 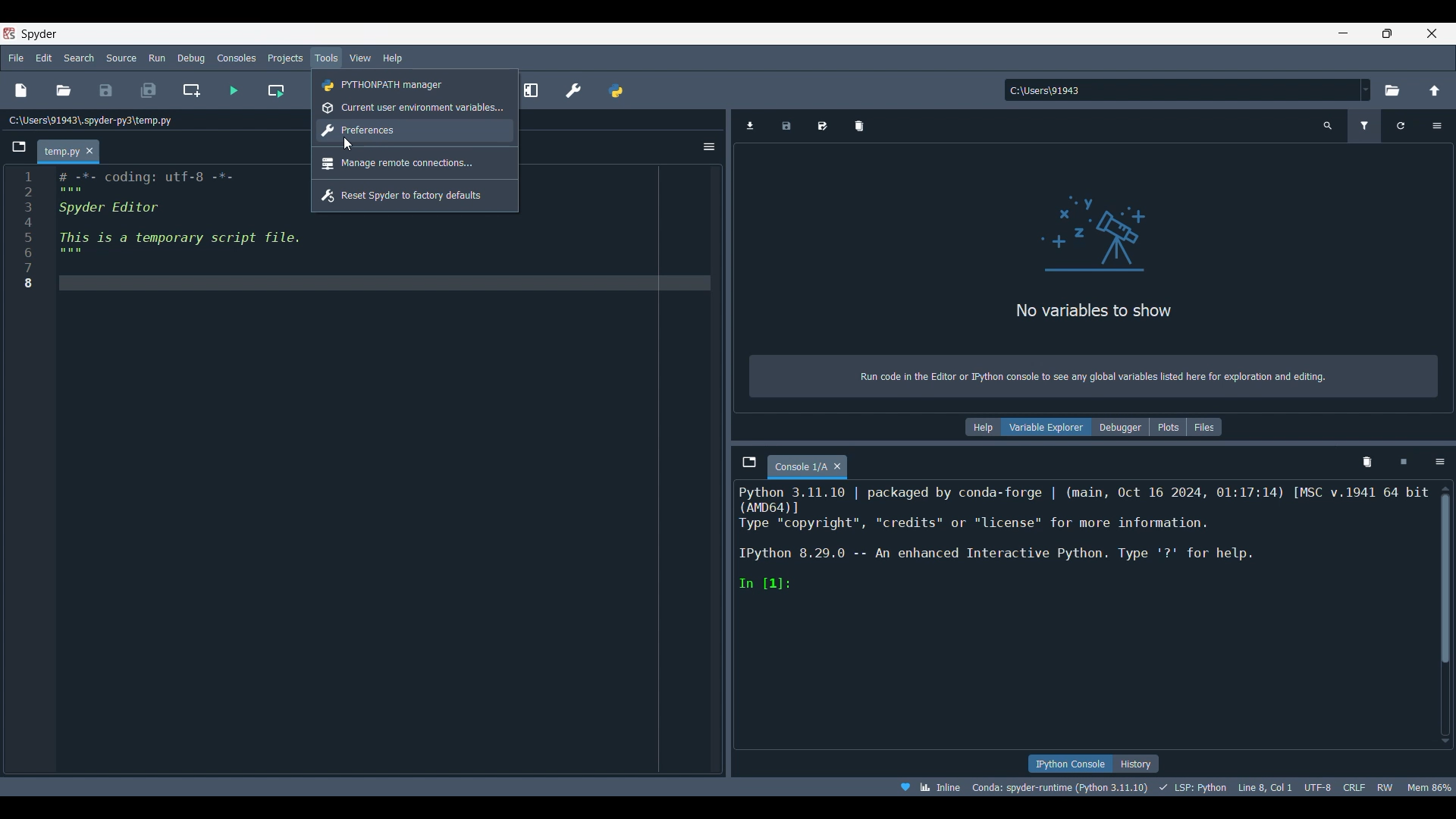 What do you see at coordinates (1205, 427) in the screenshot?
I see `Files` at bounding box center [1205, 427].